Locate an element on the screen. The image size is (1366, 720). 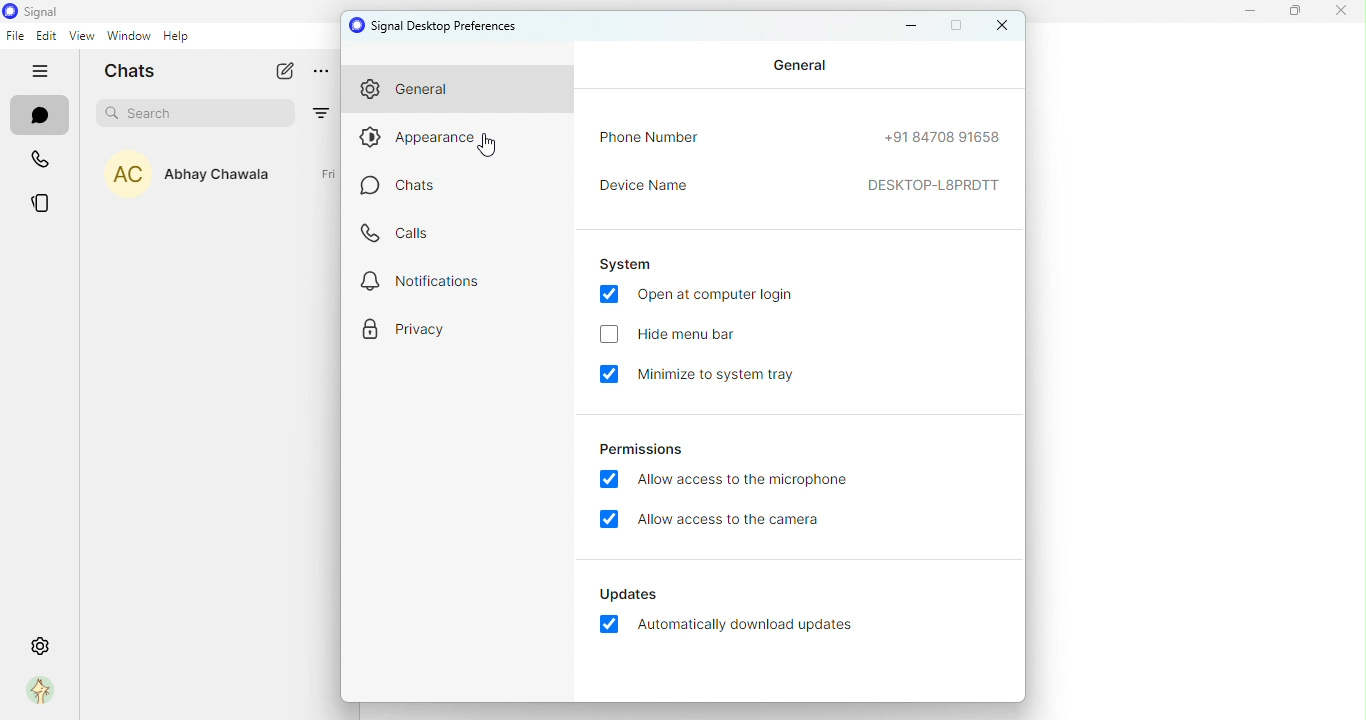
general is located at coordinates (448, 92).